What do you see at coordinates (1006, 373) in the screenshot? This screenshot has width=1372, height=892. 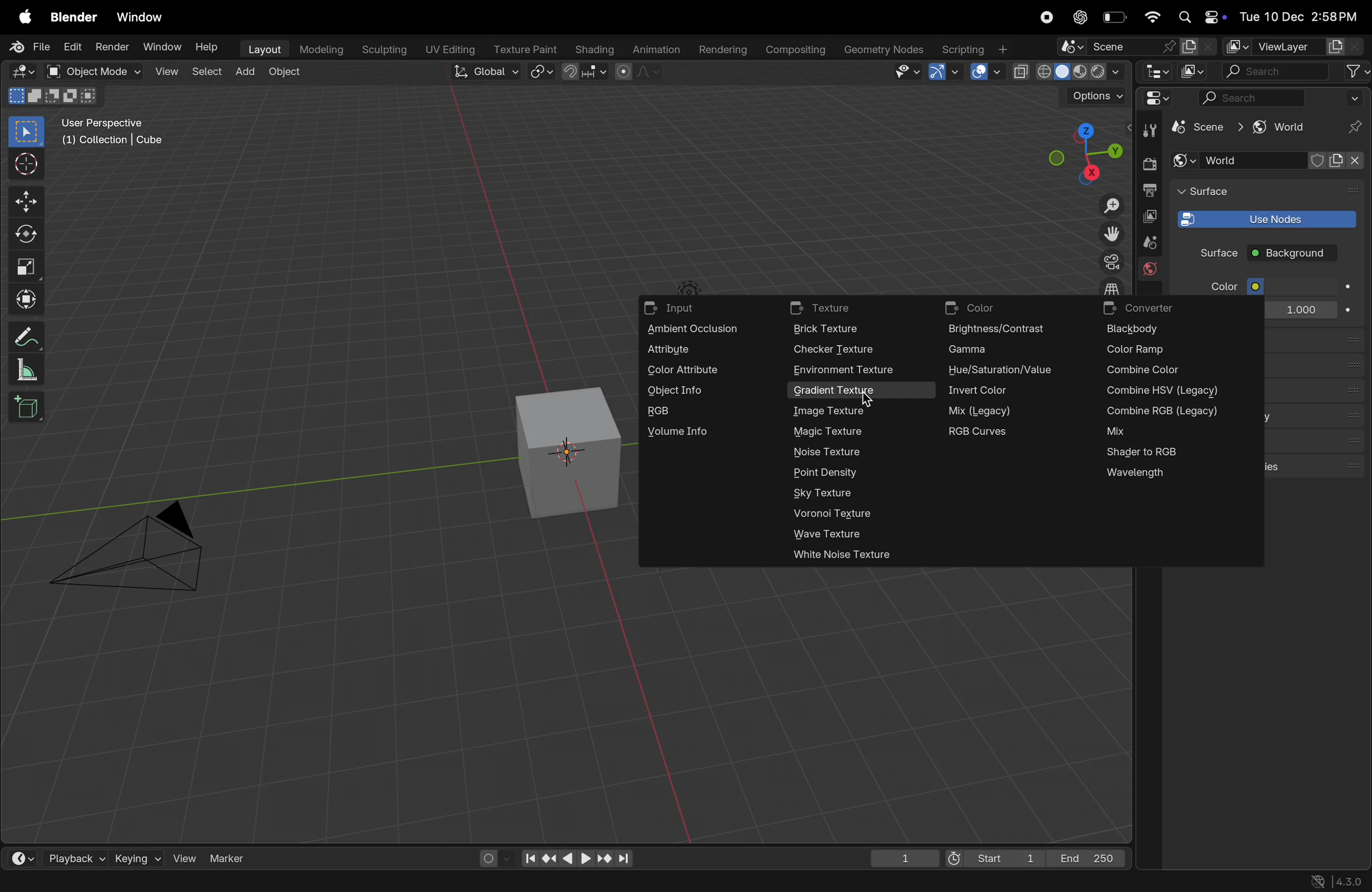 I see `hue saturation value` at bounding box center [1006, 373].